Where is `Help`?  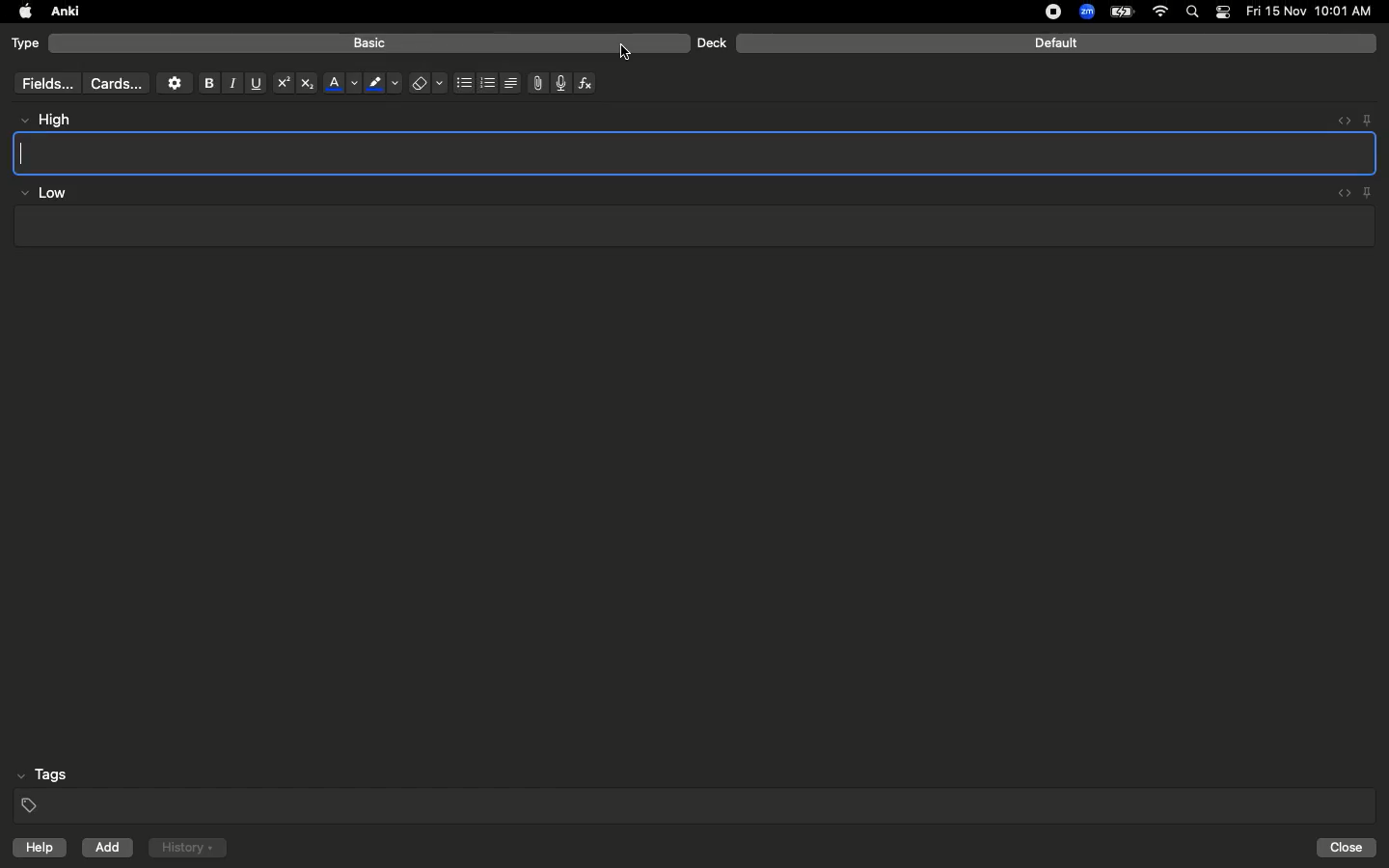
Help is located at coordinates (35, 848).